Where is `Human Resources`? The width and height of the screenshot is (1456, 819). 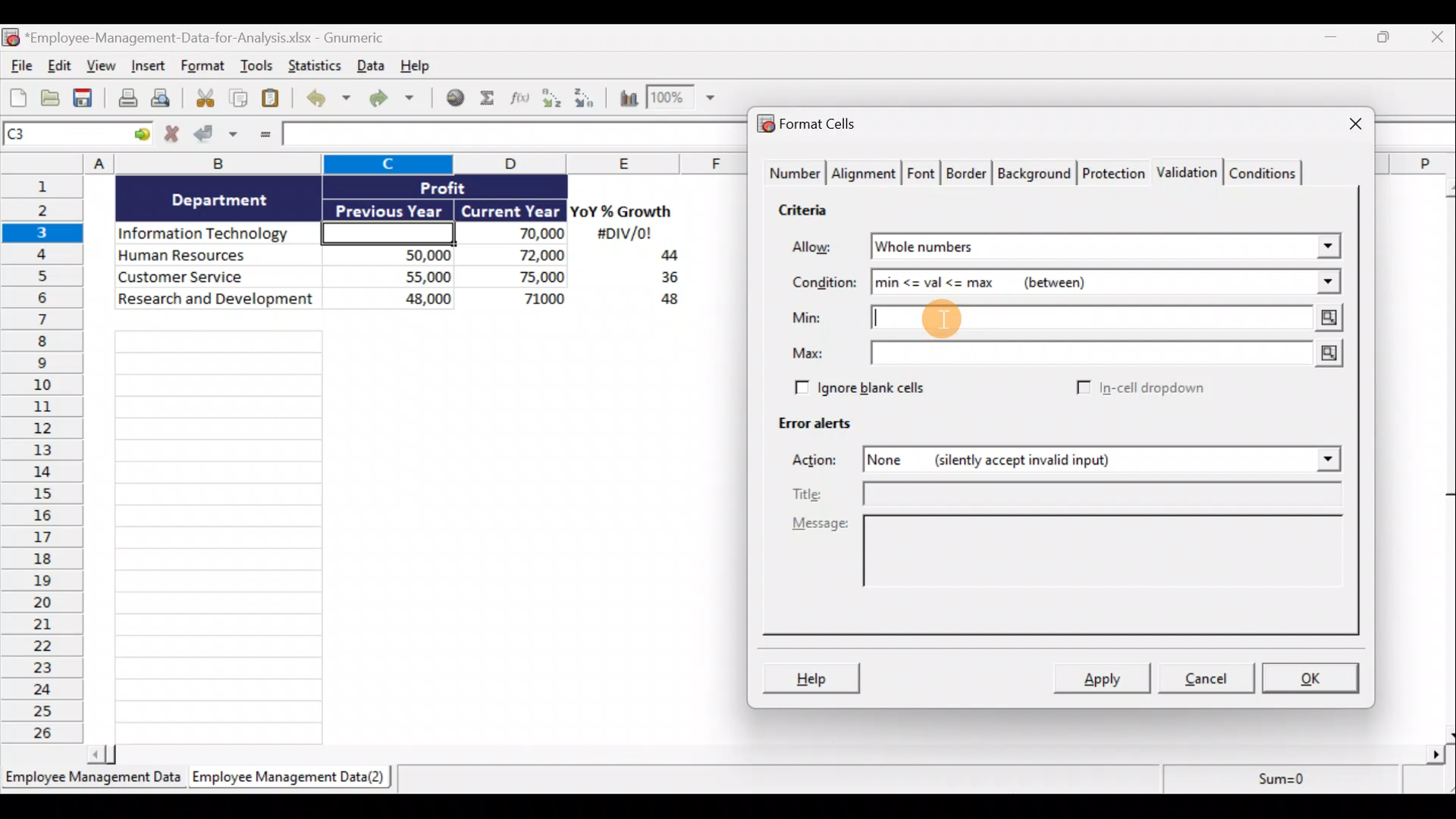
Human Resources is located at coordinates (215, 256).